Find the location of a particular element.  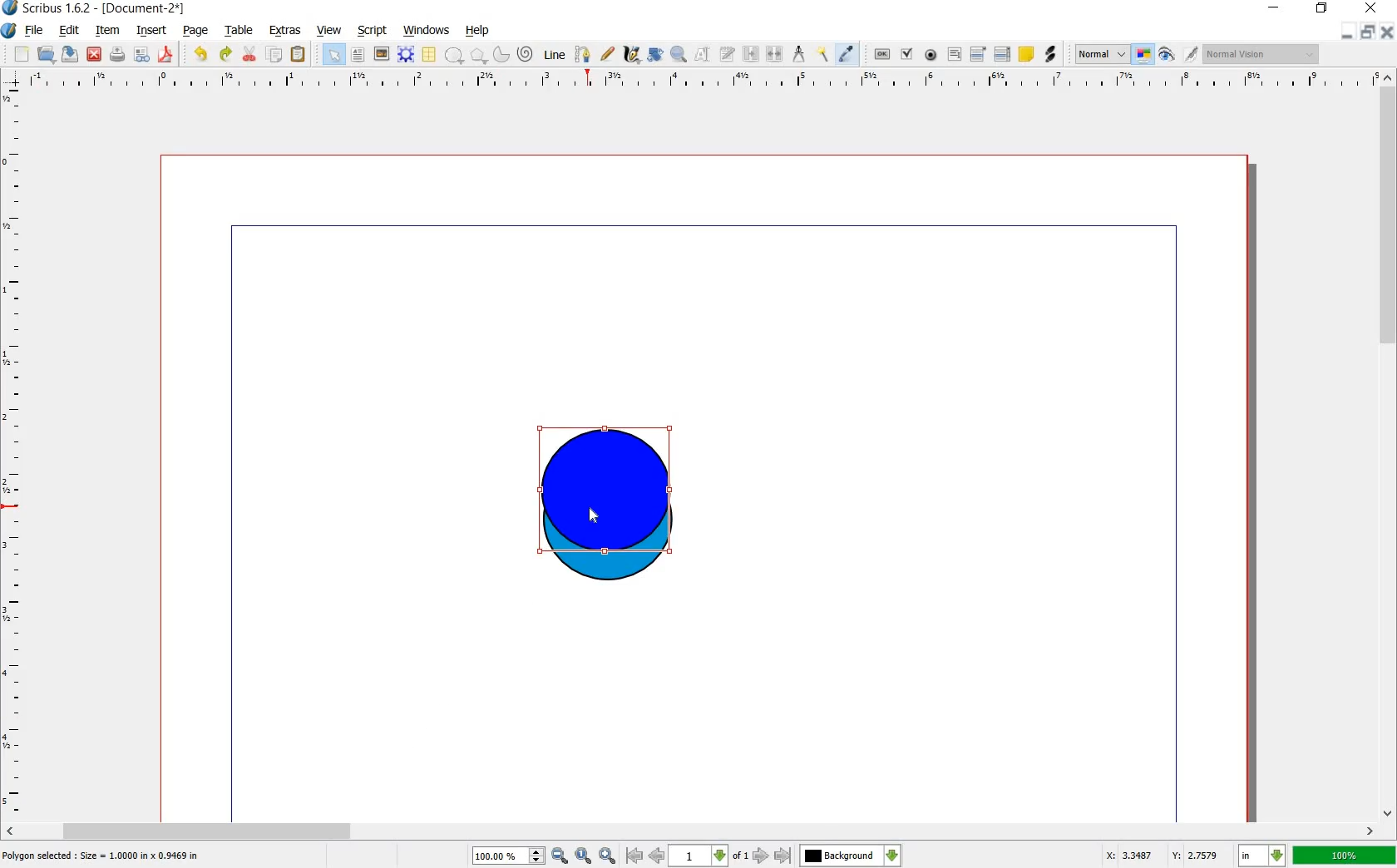

link text frames is located at coordinates (752, 55).